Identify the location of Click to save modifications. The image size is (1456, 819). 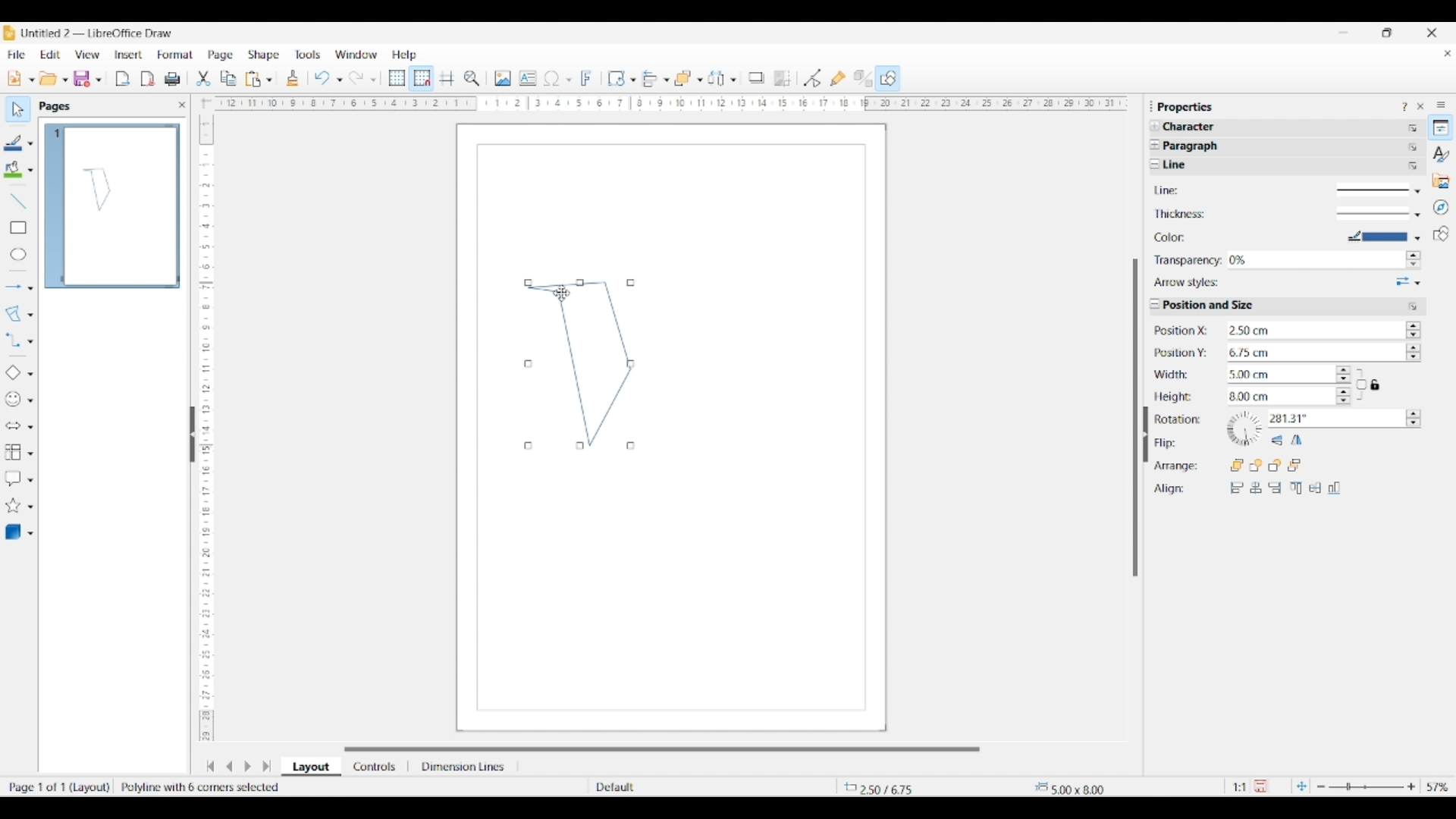
(1260, 786).